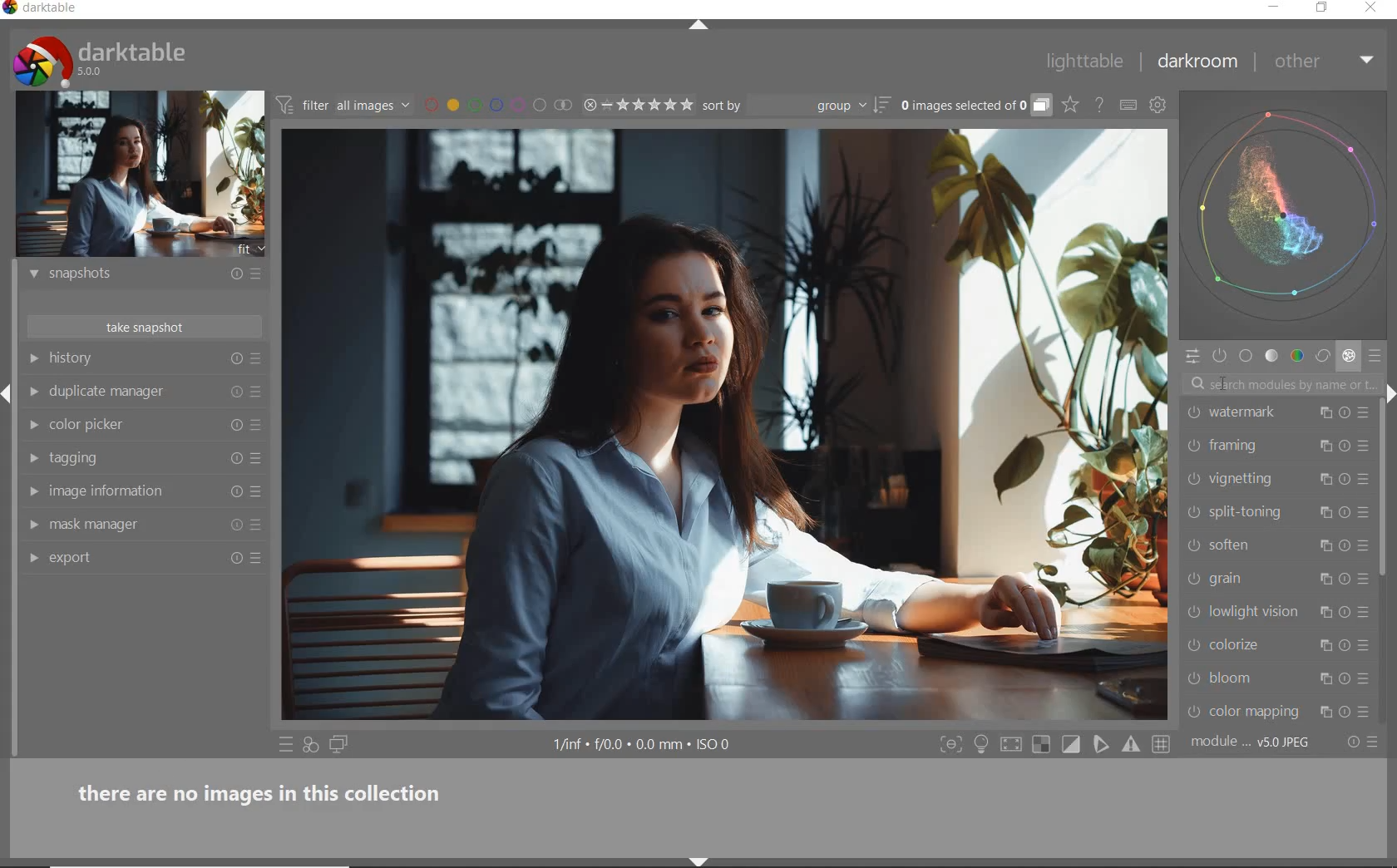 This screenshot has height=868, width=1397. Describe the element at coordinates (1364, 546) in the screenshot. I see `preset and preferences` at that location.